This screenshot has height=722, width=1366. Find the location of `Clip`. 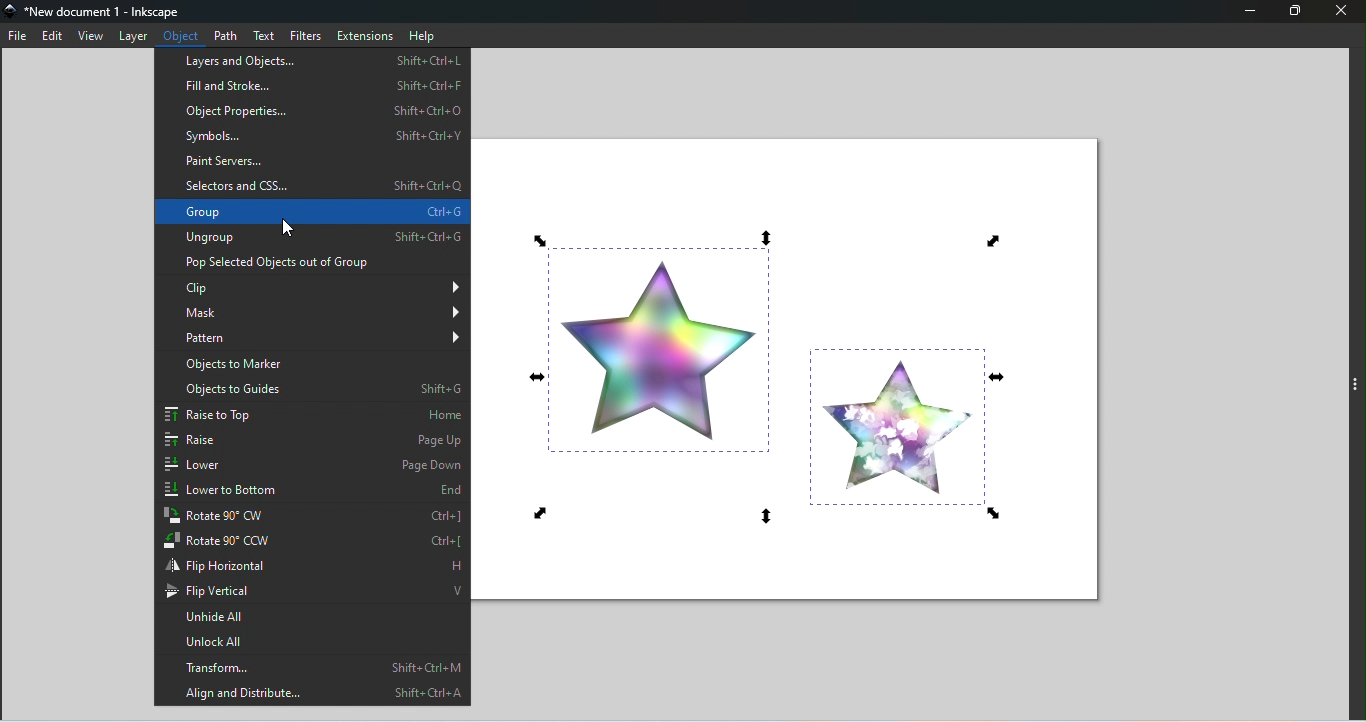

Clip is located at coordinates (314, 288).